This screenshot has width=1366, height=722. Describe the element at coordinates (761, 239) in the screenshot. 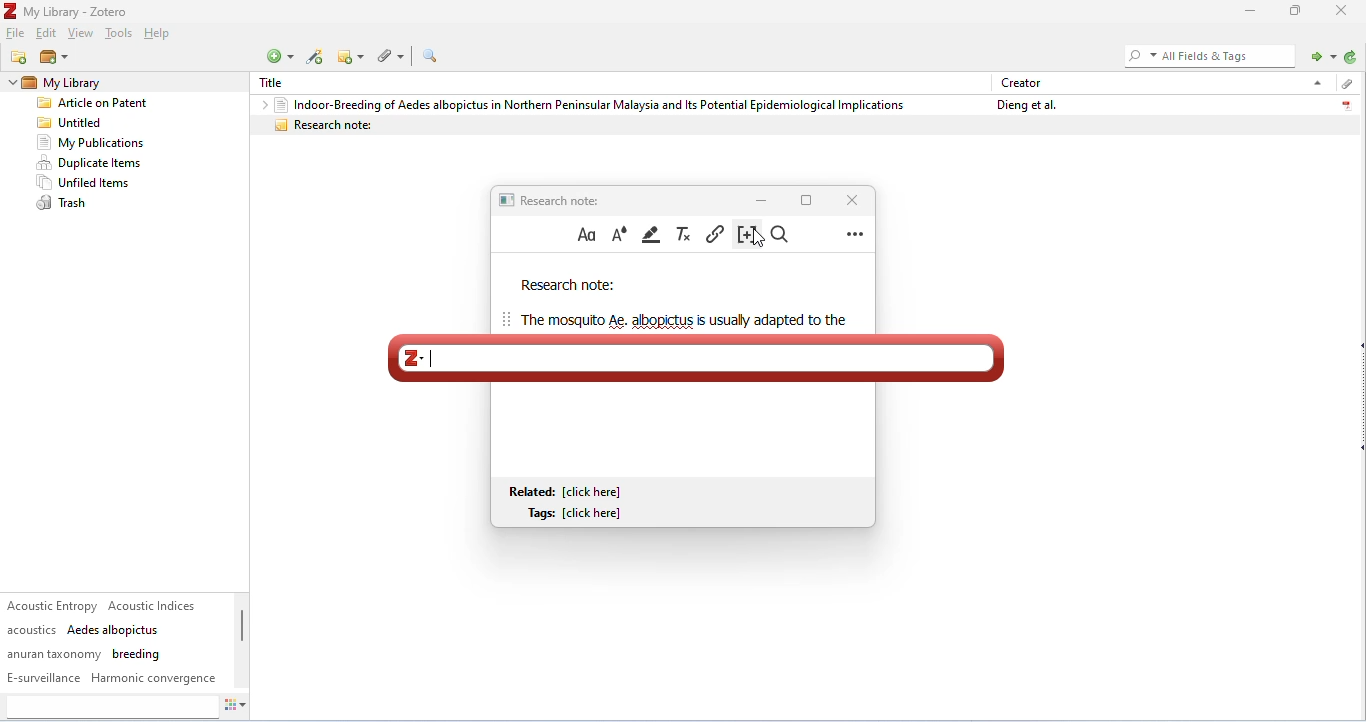

I see `cursor movement` at that location.